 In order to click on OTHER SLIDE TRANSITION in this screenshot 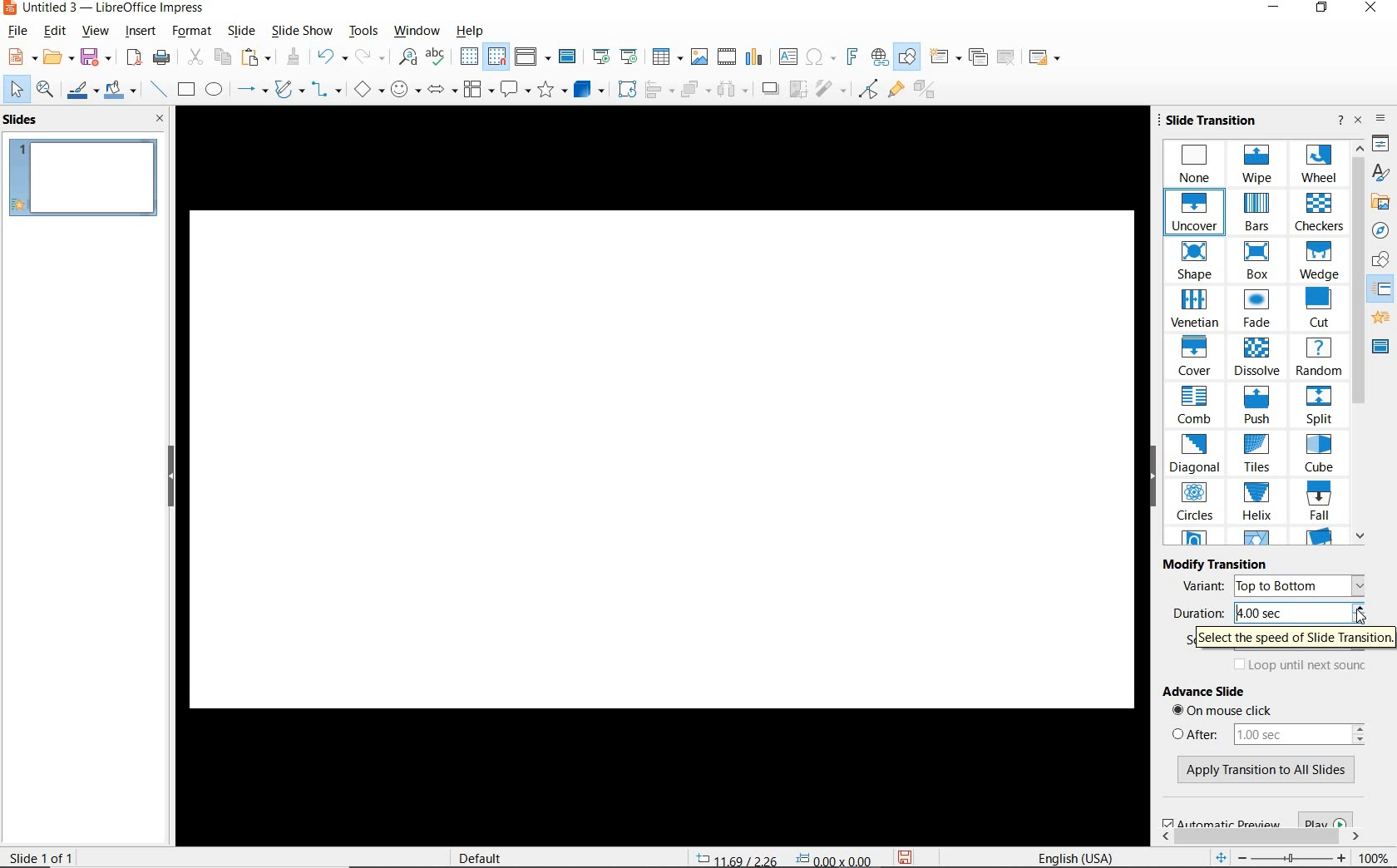, I will do `click(1257, 538)`.